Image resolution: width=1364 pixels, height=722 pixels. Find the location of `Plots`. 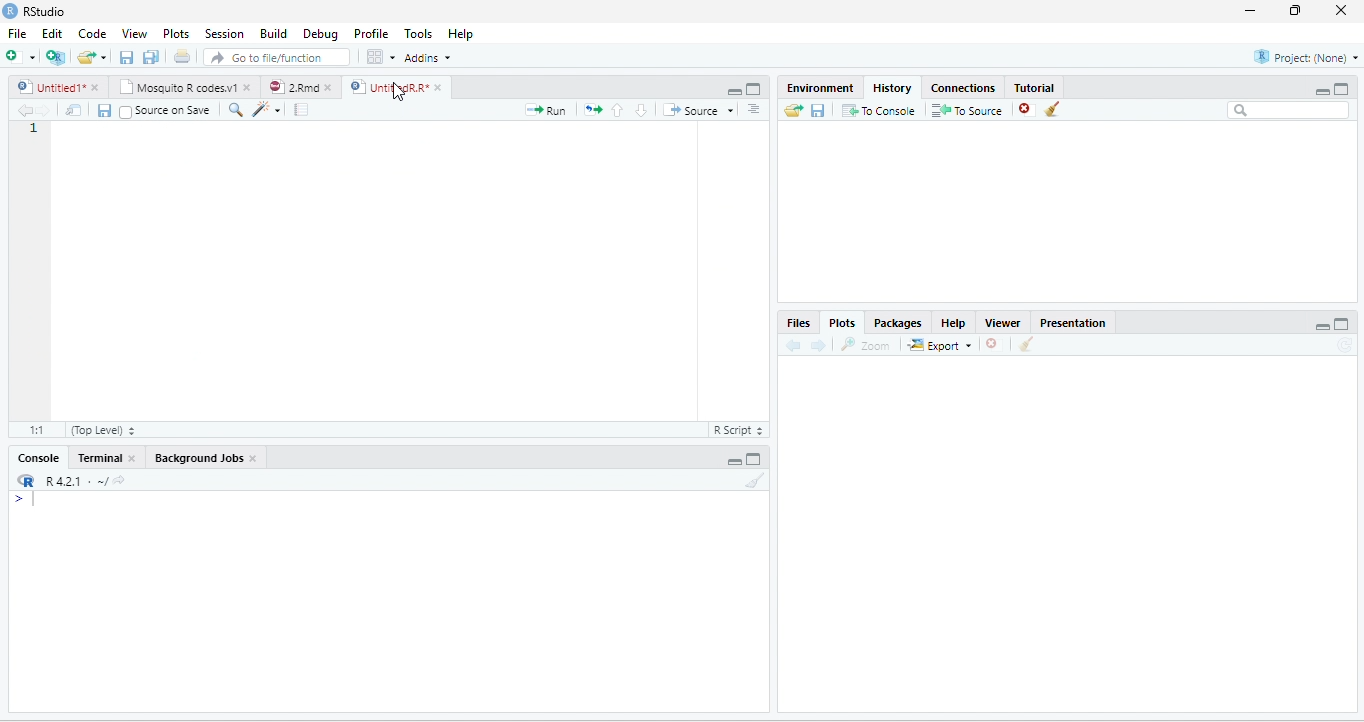

Plots is located at coordinates (176, 33).